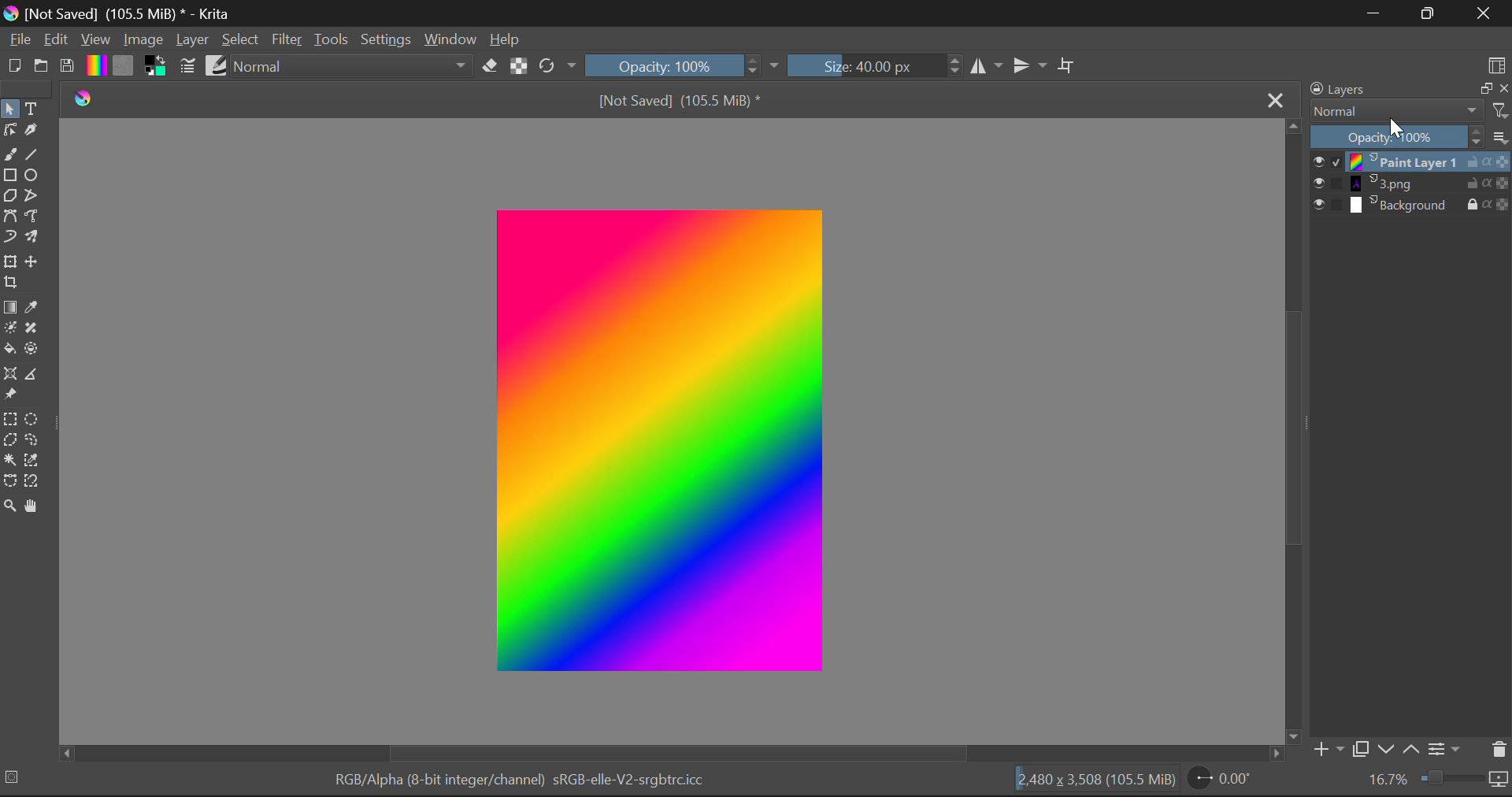  I want to click on Copy Layer, so click(1362, 747).